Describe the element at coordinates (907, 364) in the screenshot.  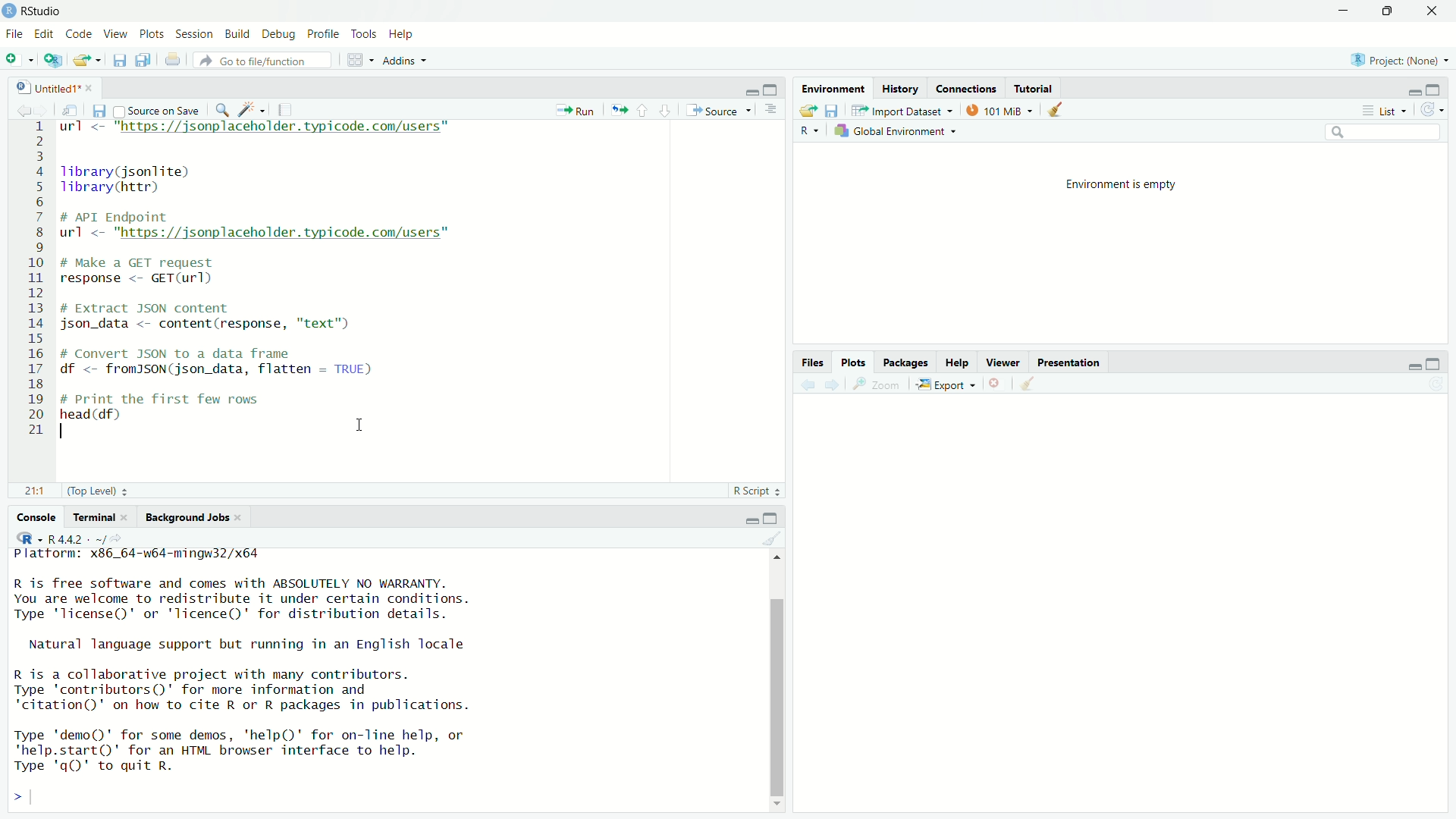
I see `Packages` at that location.